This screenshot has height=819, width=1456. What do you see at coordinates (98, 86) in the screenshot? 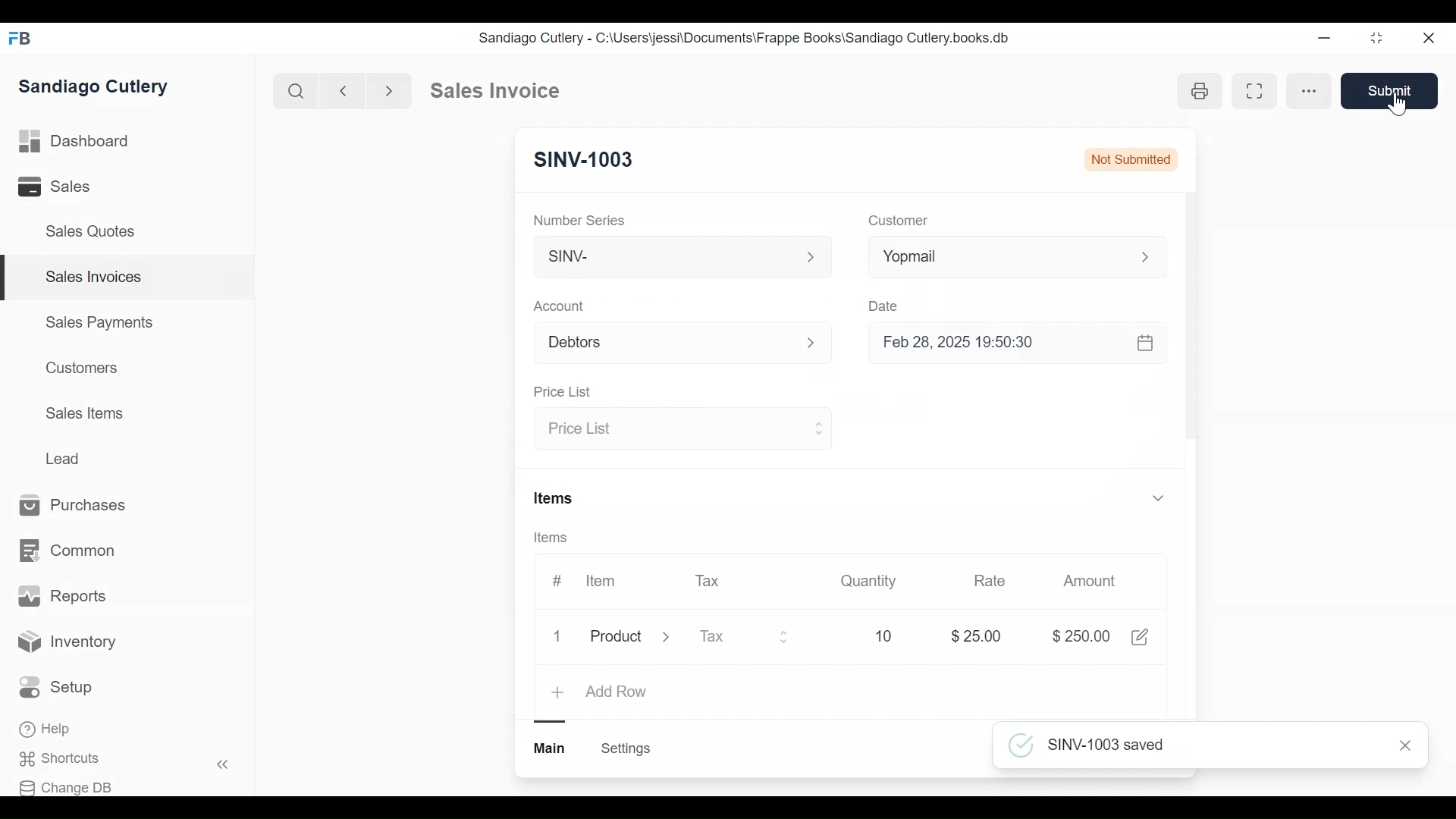
I see `Sandiago Cutlery` at bounding box center [98, 86].